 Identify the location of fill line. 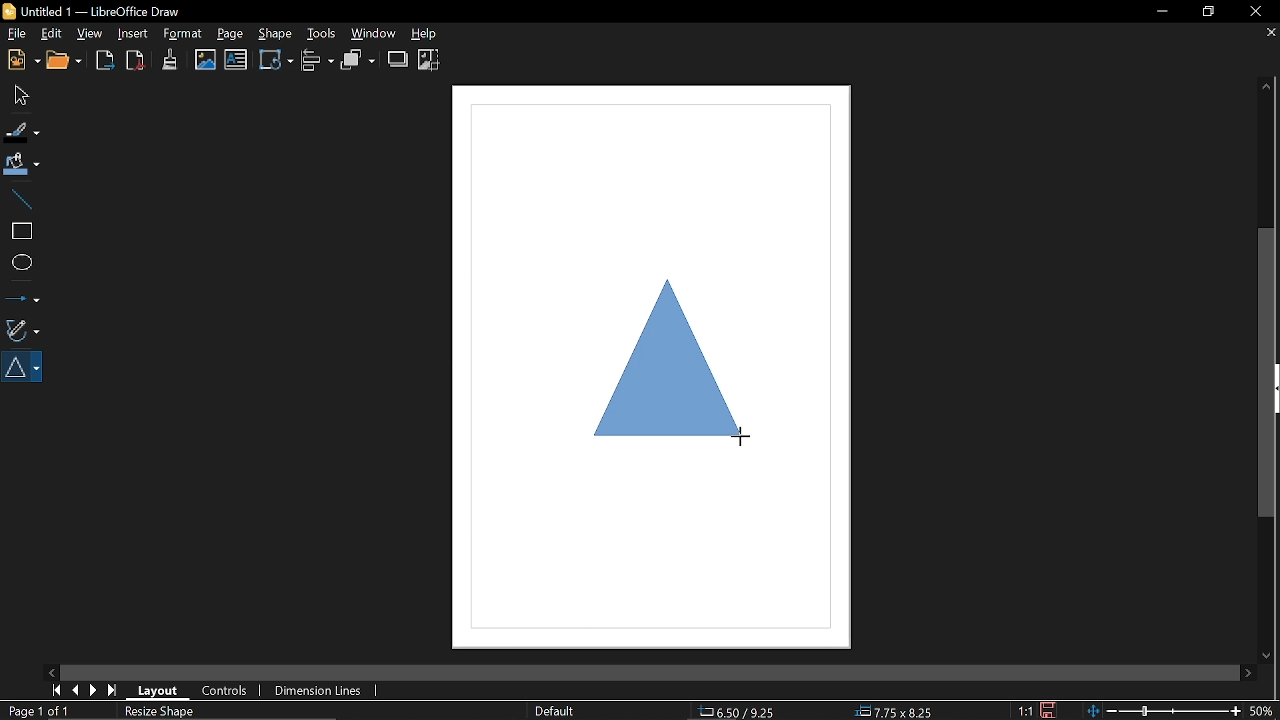
(23, 131).